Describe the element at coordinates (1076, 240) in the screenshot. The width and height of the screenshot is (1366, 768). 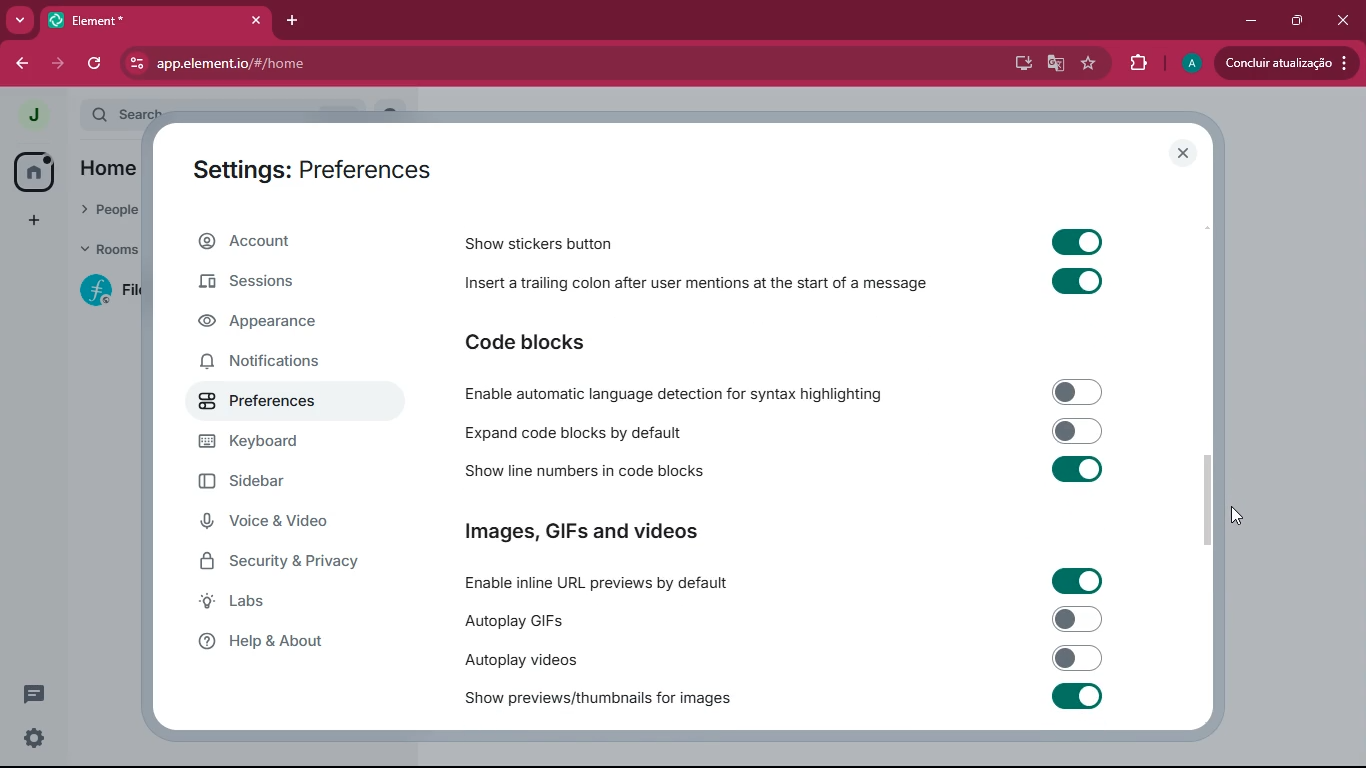
I see `` at that location.